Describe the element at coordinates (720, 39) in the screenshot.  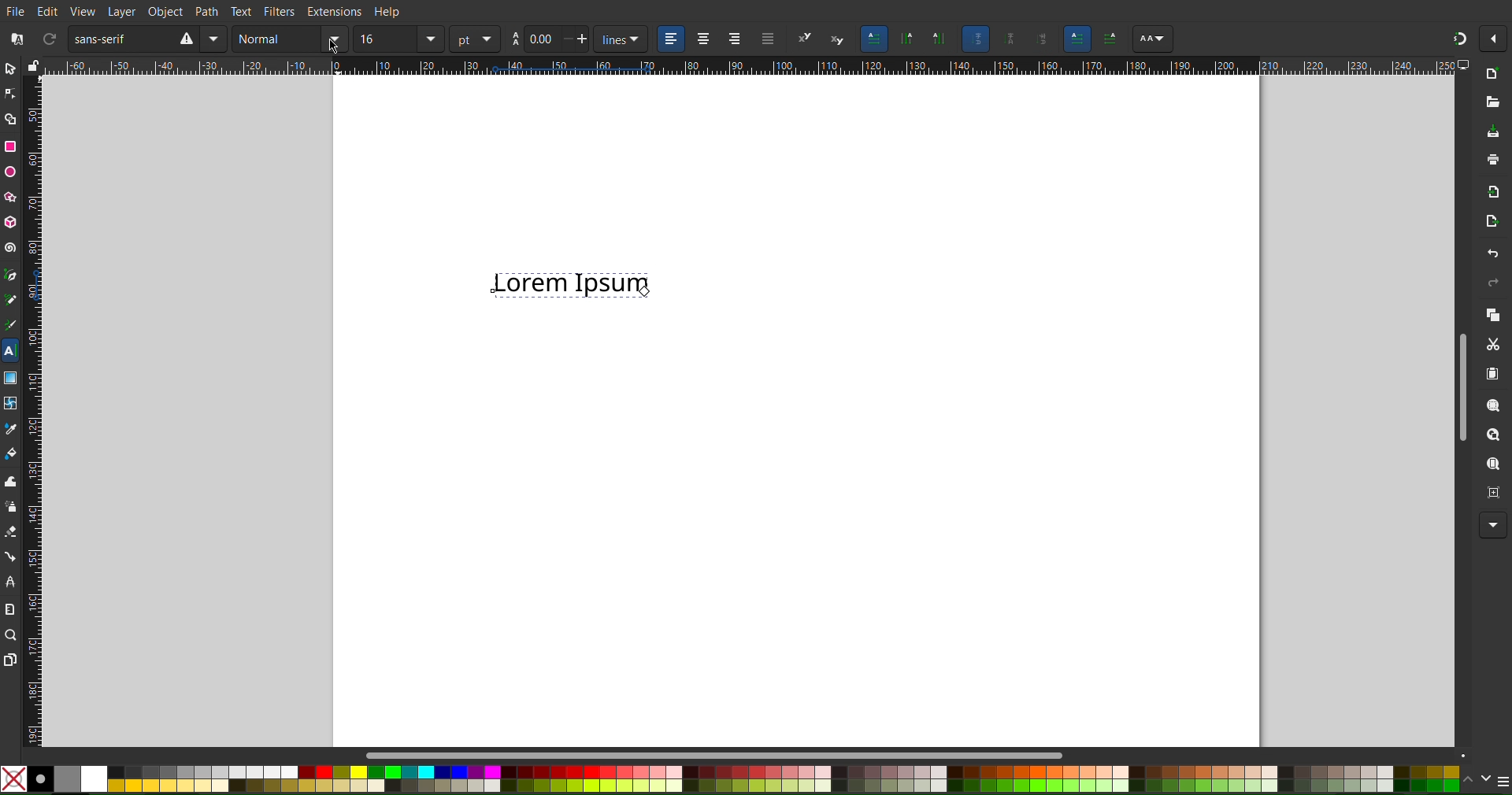
I see `Alignment` at that location.